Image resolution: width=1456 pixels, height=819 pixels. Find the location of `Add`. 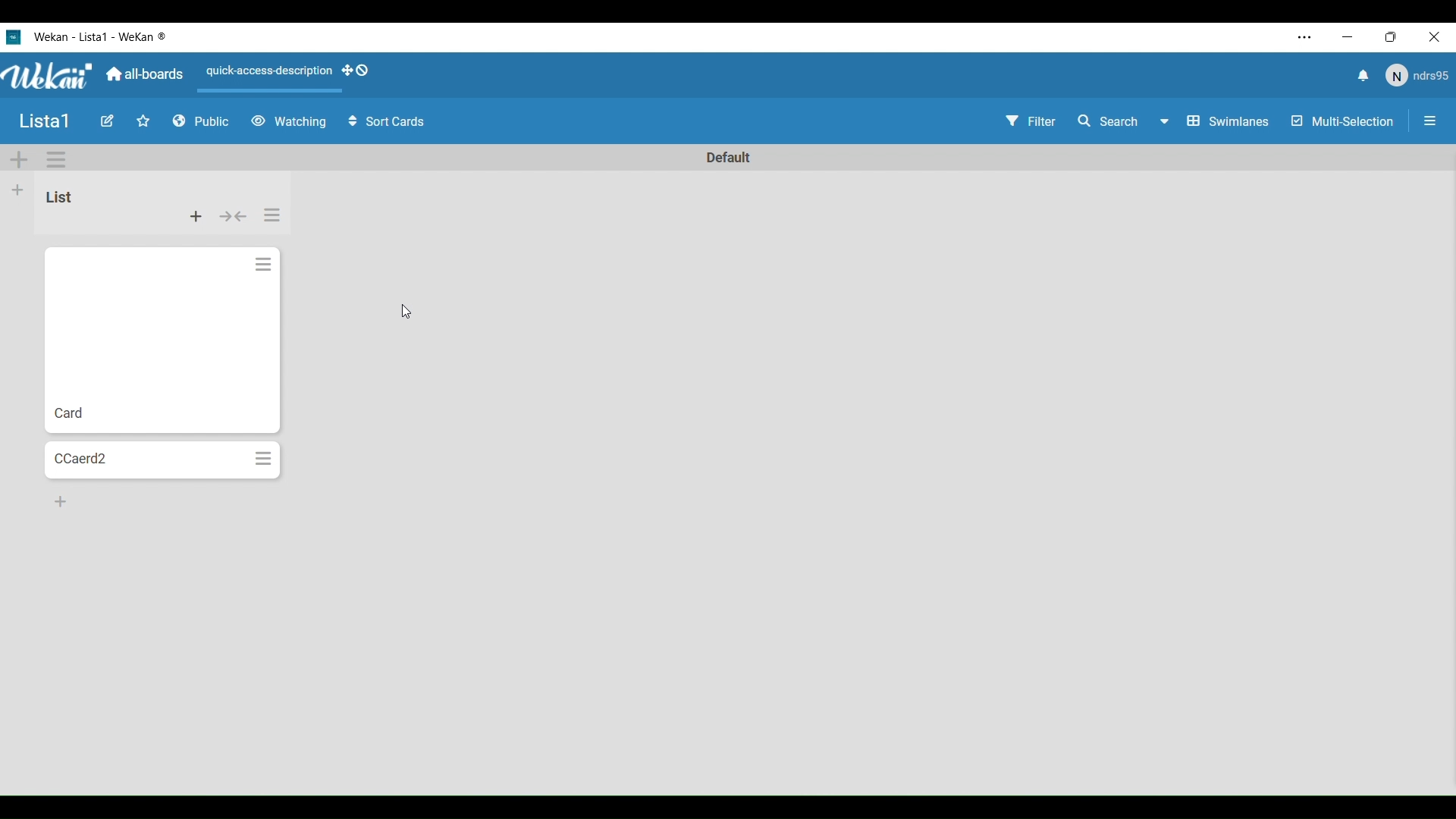

Add is located at coordinates (61, 501).